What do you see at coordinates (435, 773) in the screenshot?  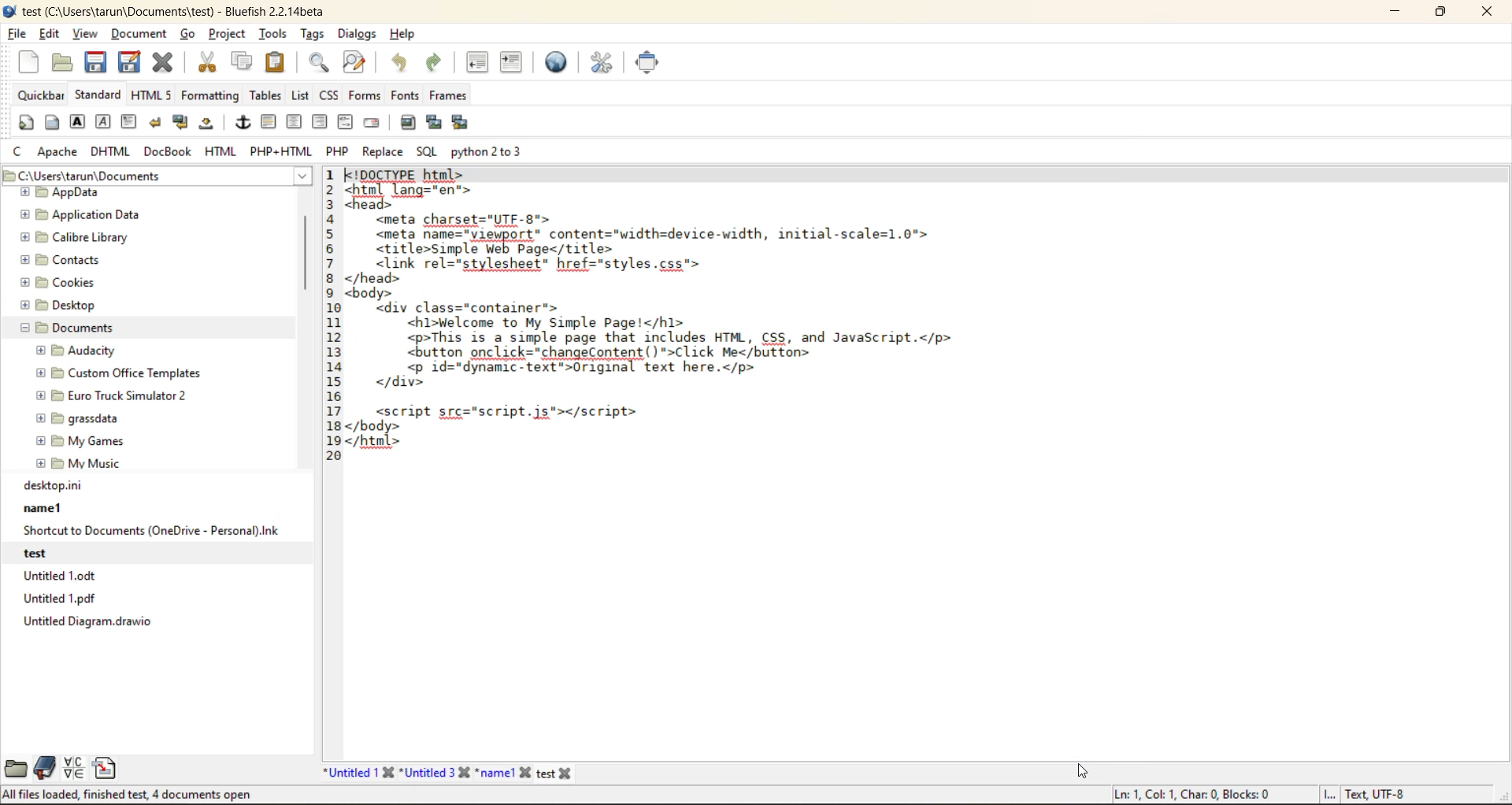 I see `Untitled 3 tab` at bounding box center [435, 773].